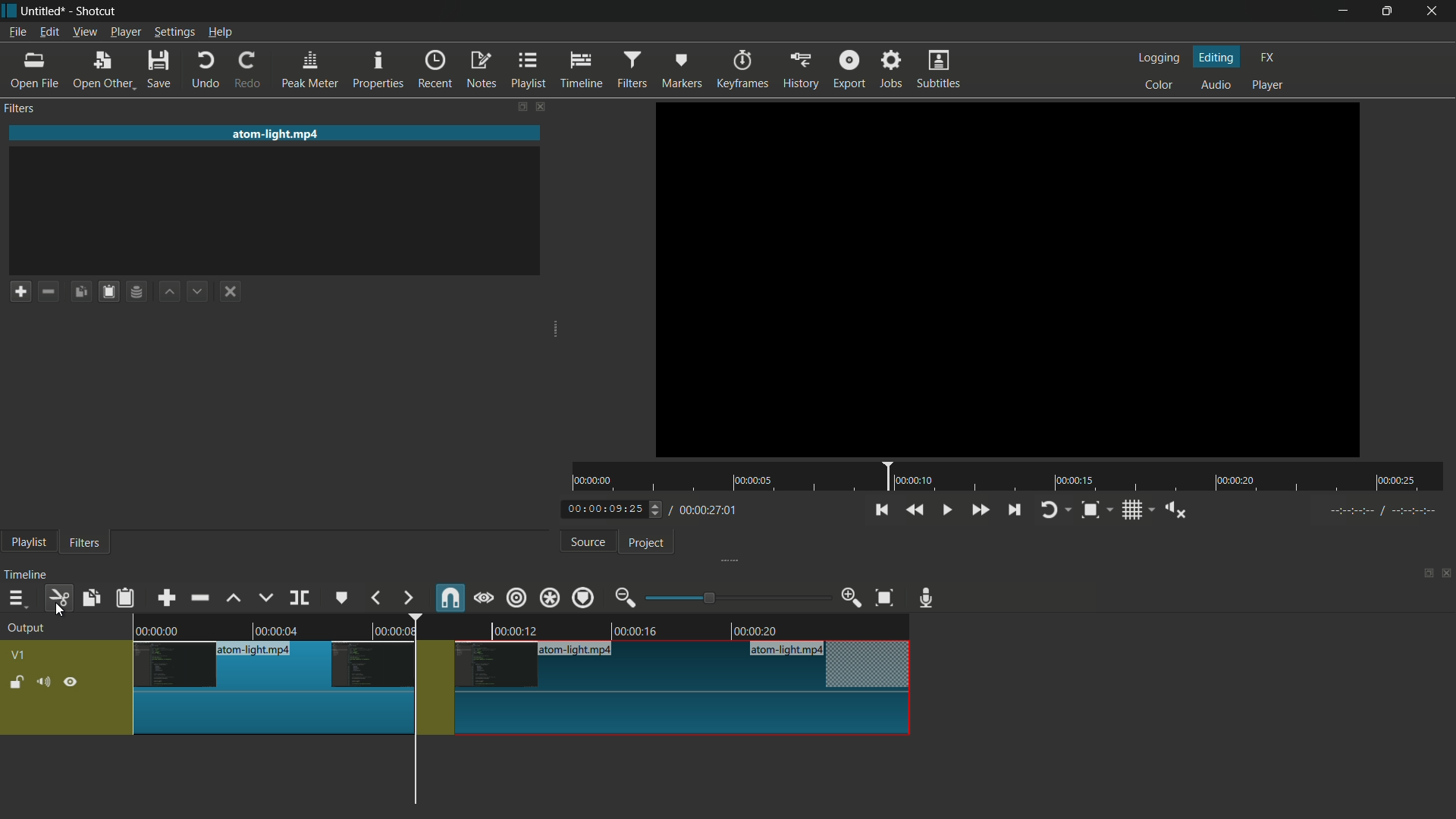 The height and width of the screenshot is (819, 1456). Describe the element at coordinates (1162, 58) in the screenshot. I see `logging` at that location.